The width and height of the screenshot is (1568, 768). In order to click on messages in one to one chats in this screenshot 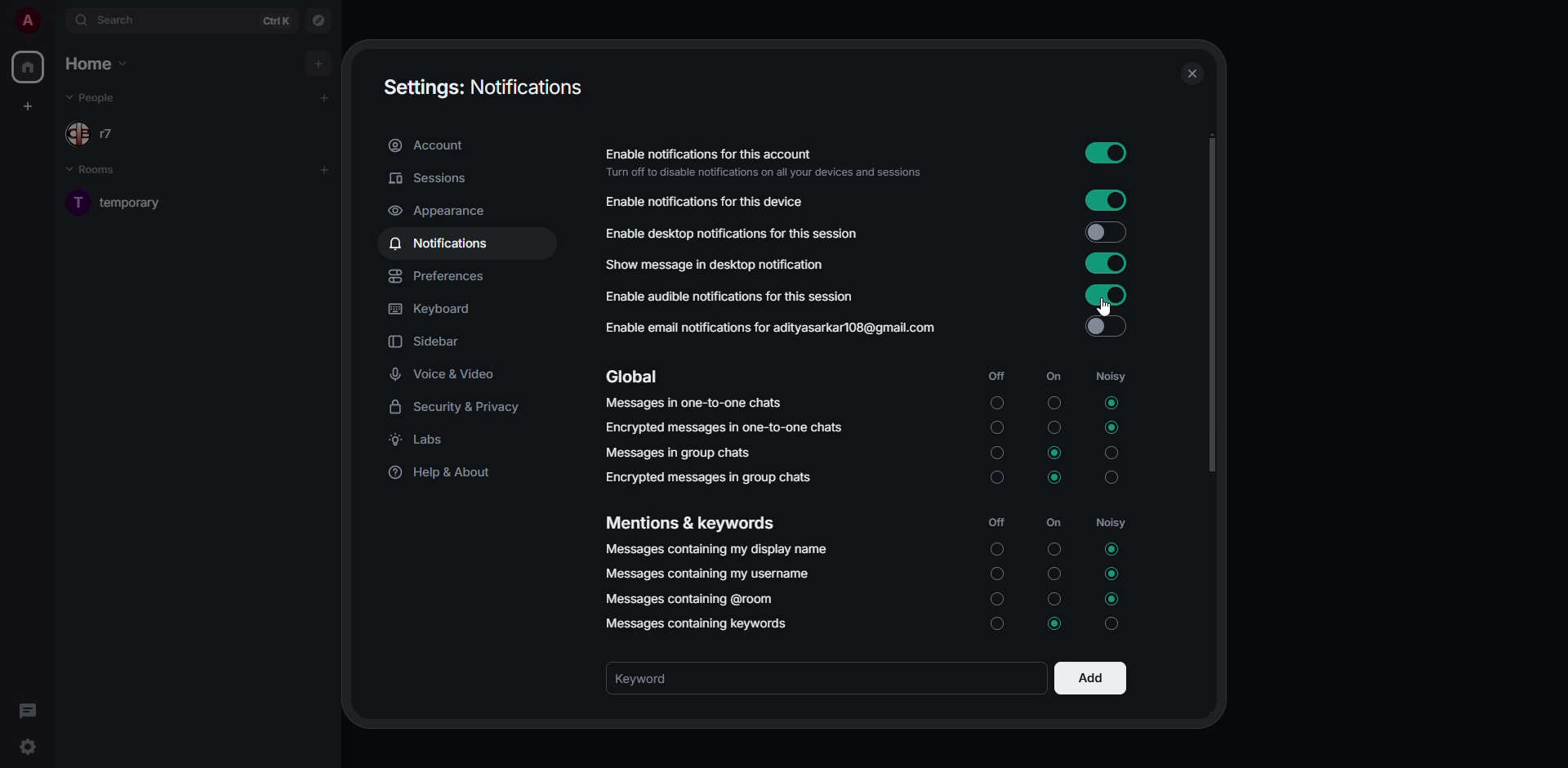, I will do `click(697, 404)`.